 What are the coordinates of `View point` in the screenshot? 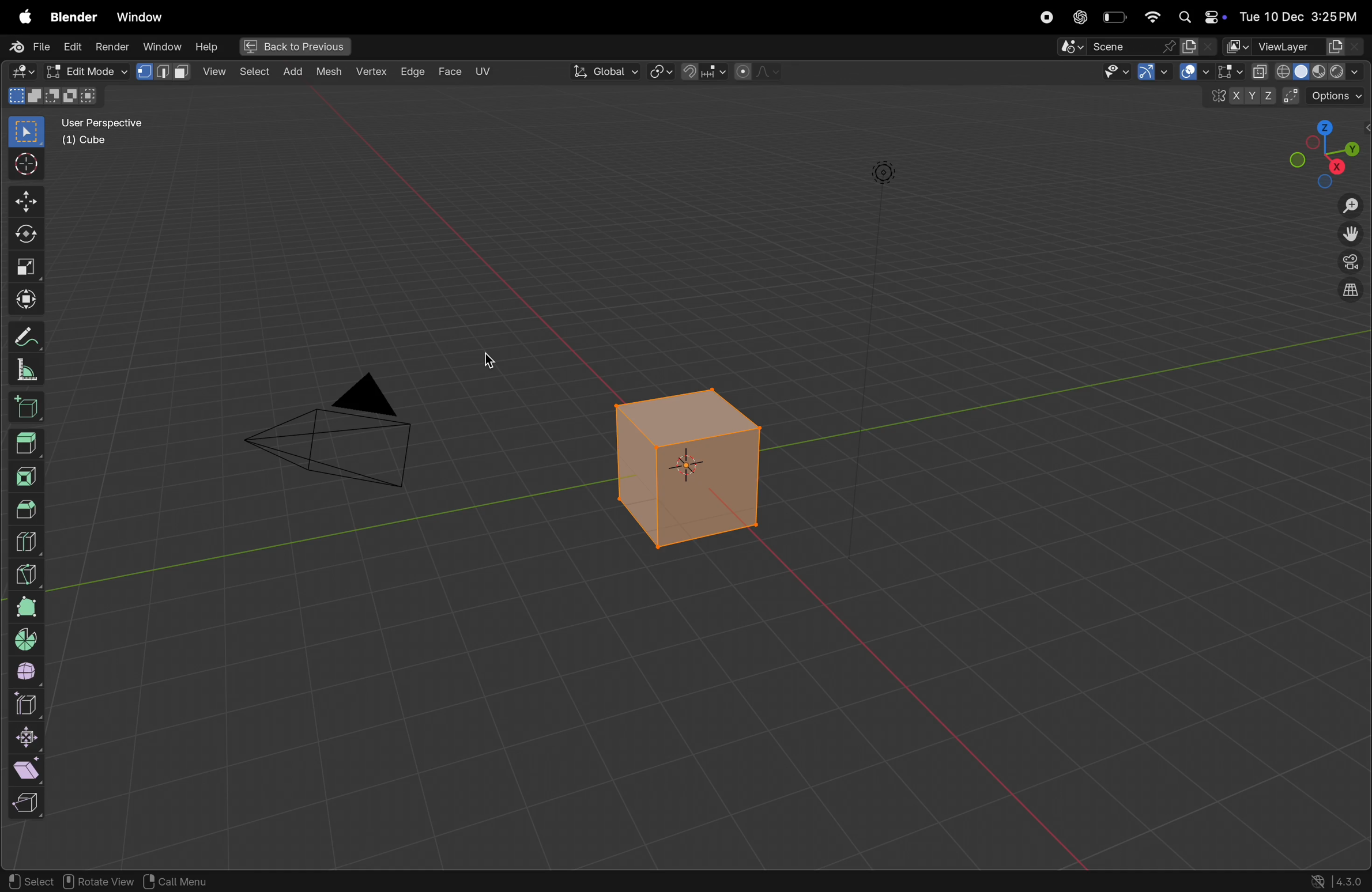 It's located at (1326, 153).